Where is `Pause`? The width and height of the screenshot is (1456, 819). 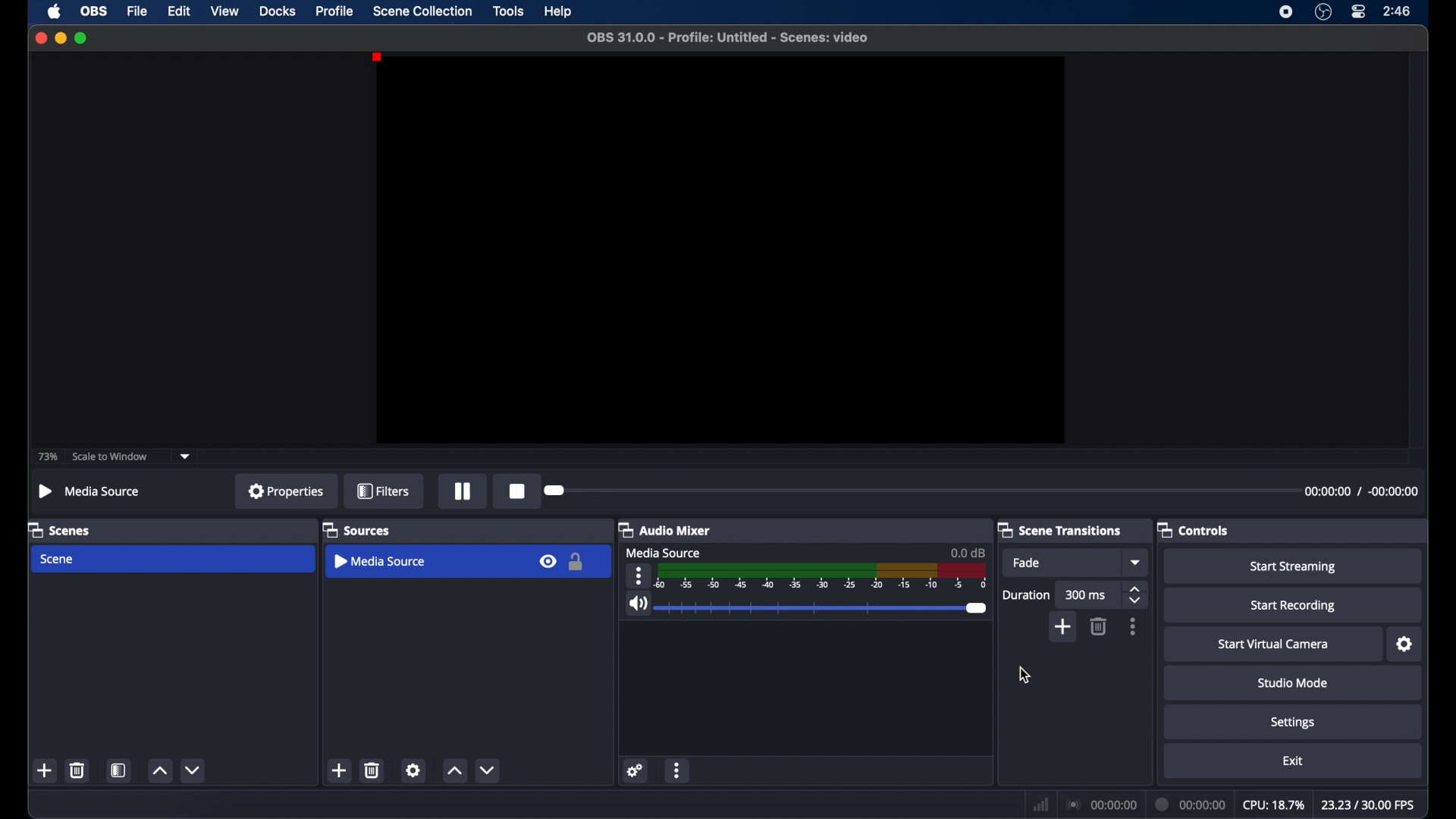 Pause is located at coordinates (462, 492).